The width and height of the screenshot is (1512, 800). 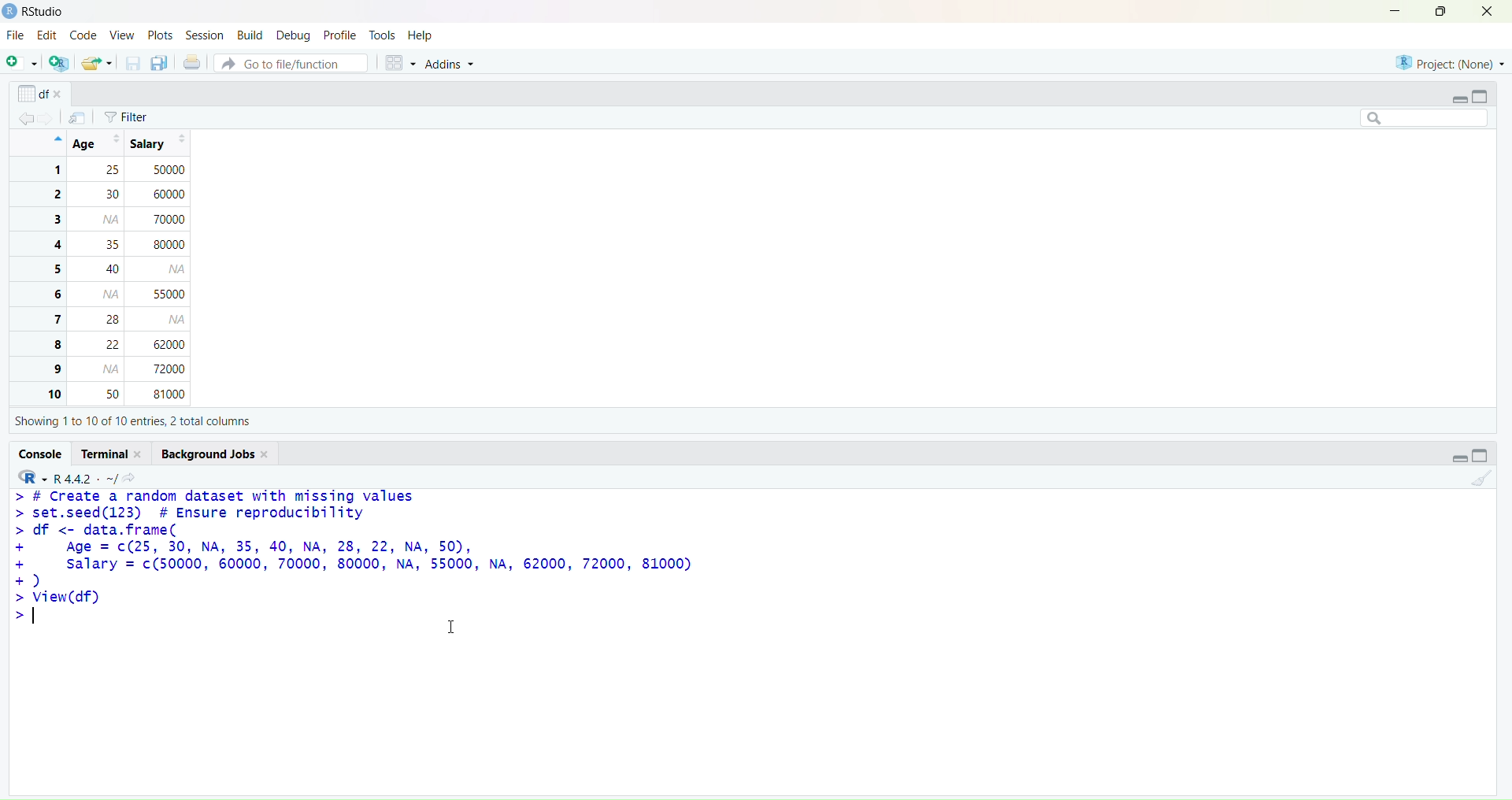 What do you see at coordinates (1454, 457) in the screenshot?
I see `expand` at bounding box center [1454, 457].